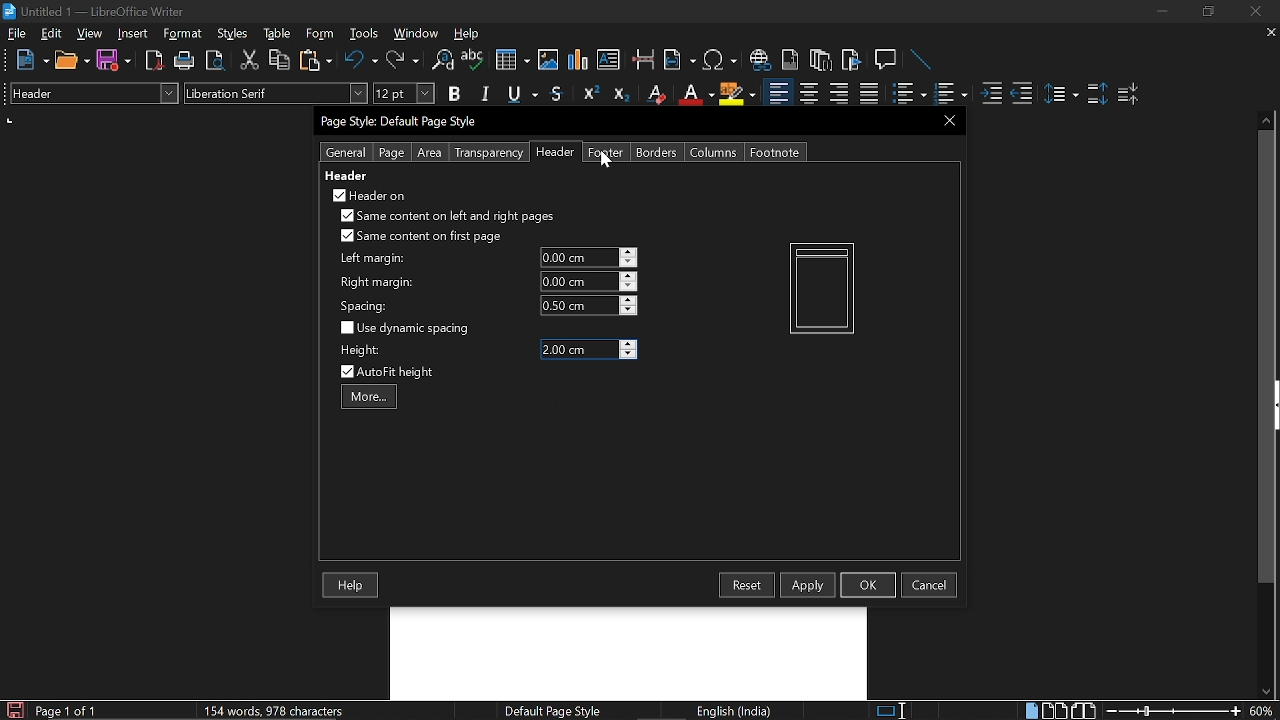 Image resolution: width=1280 pixels, height=720 pixels. Describe the element at coordinates (949, 94) in the screenshot. I see `Toggle unordered list` at that location.